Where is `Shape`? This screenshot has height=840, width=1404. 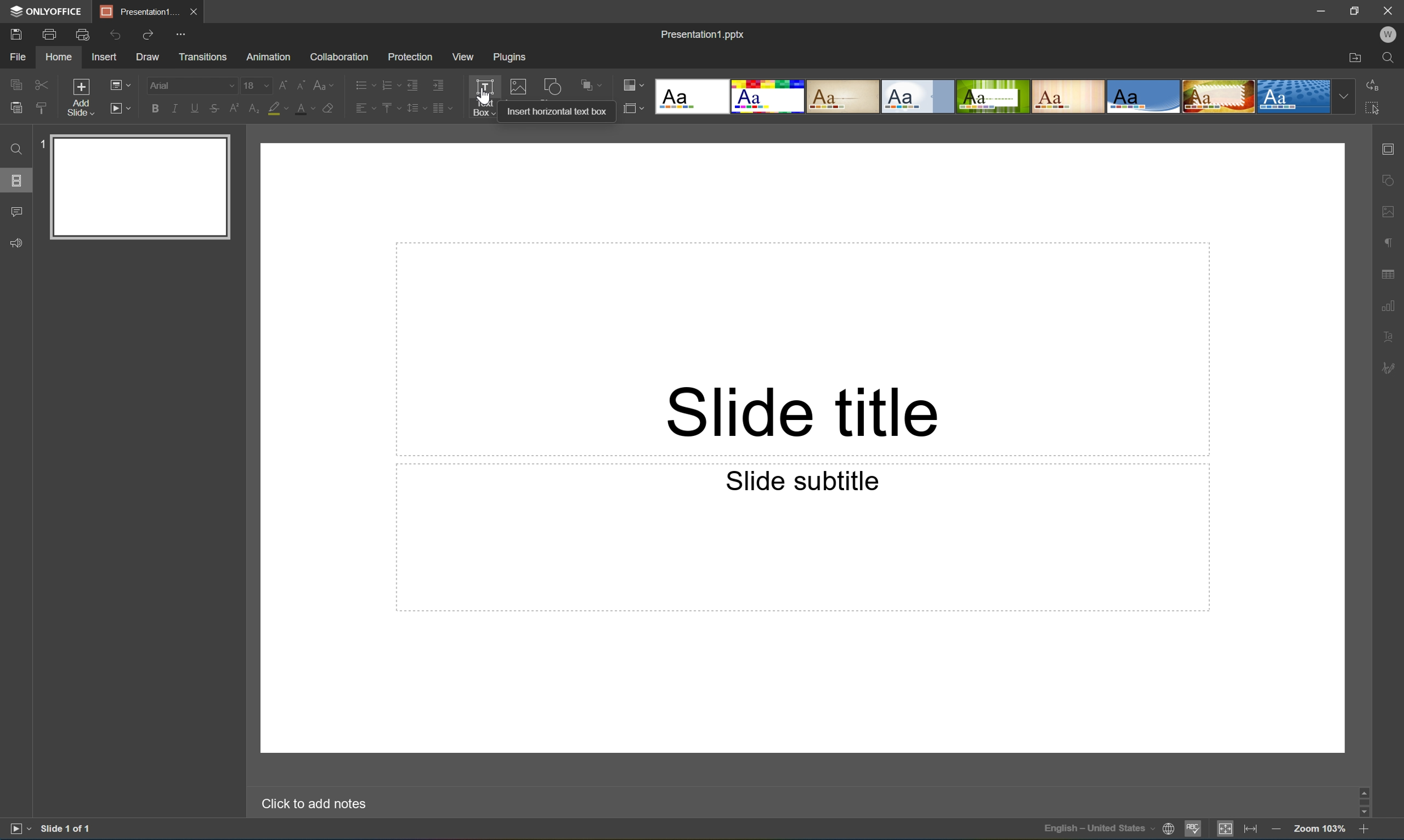
Shape is located at coordinates (553, 87).